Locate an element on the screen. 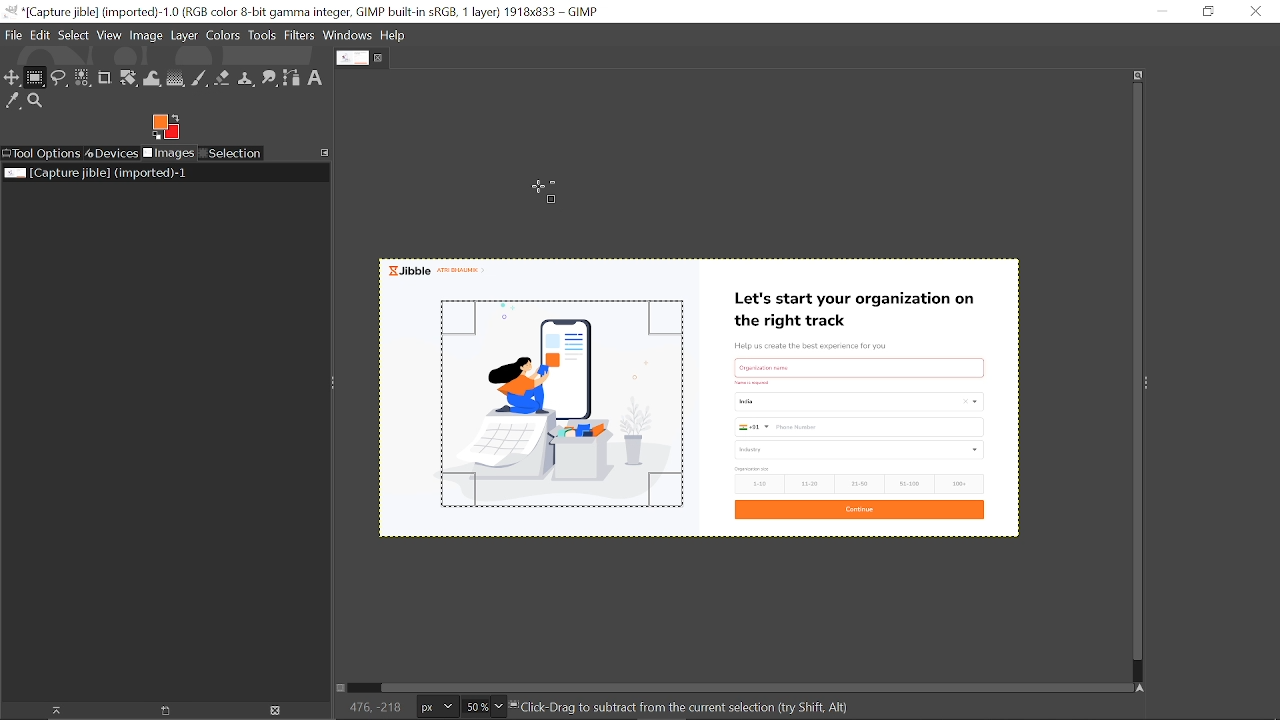 The width and height of the screenshot is (1280, 720). Selection is located at coordinates (230, 154).